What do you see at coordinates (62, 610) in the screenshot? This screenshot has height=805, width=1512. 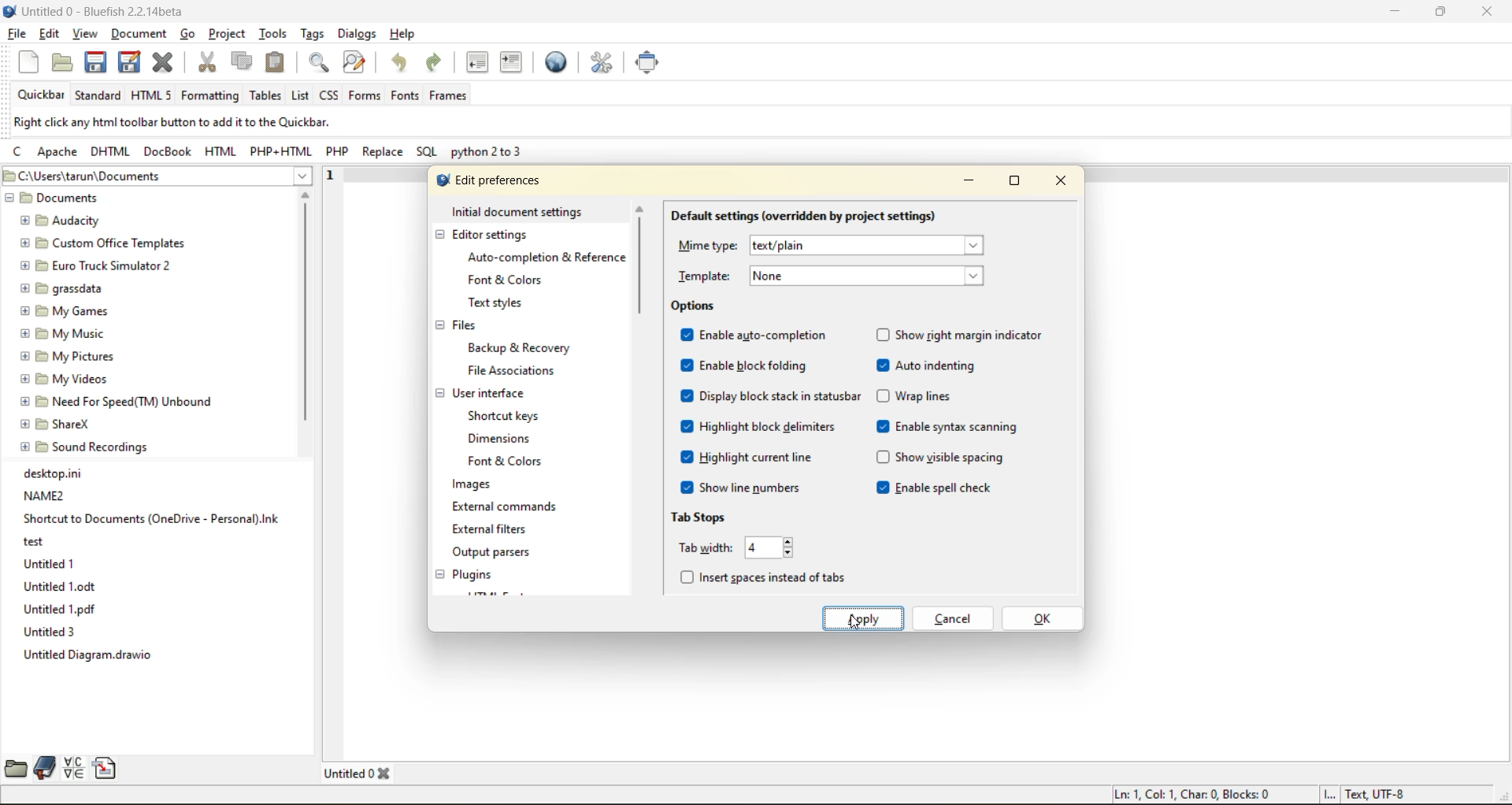 I see `Untitled 1.pdf` at bounding box center [62, 610].